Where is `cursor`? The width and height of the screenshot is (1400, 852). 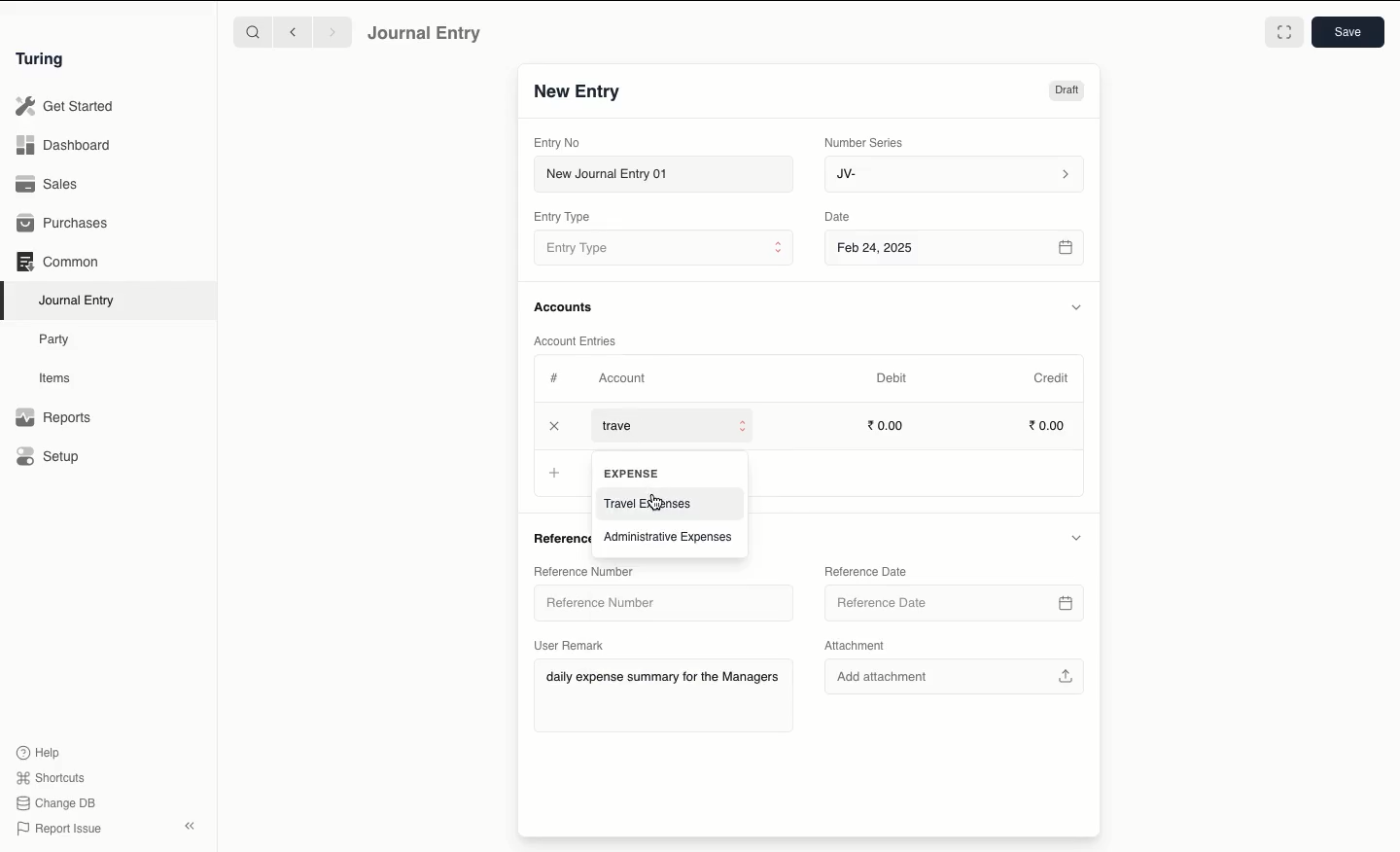 cursor is located at coordinates (656, 502).